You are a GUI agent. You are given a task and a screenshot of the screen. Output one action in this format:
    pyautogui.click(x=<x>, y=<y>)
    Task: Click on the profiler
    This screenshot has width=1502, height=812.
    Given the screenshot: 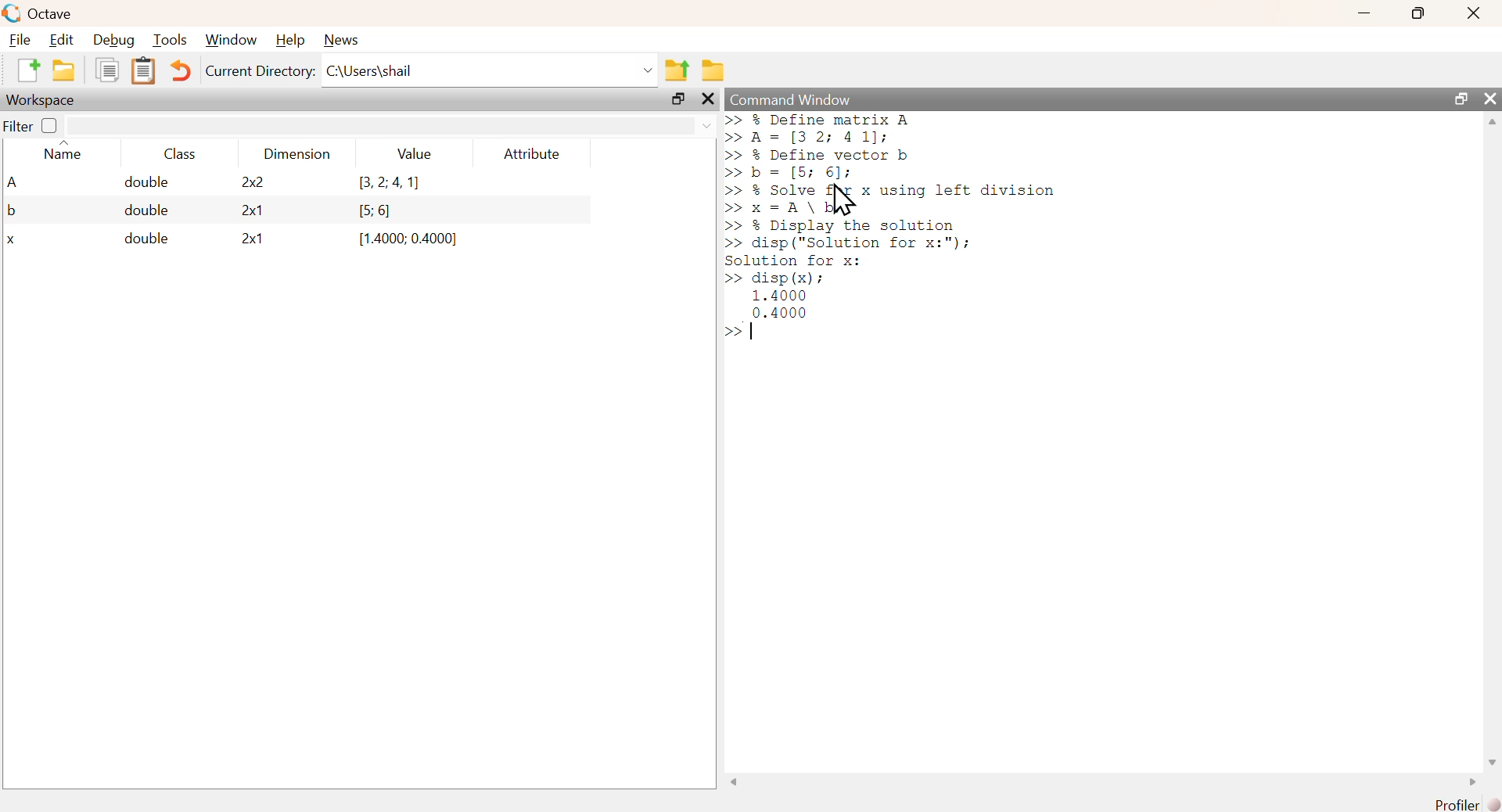 What is the action you would take?
    pyautogui.click(x=1463, y=804)
    